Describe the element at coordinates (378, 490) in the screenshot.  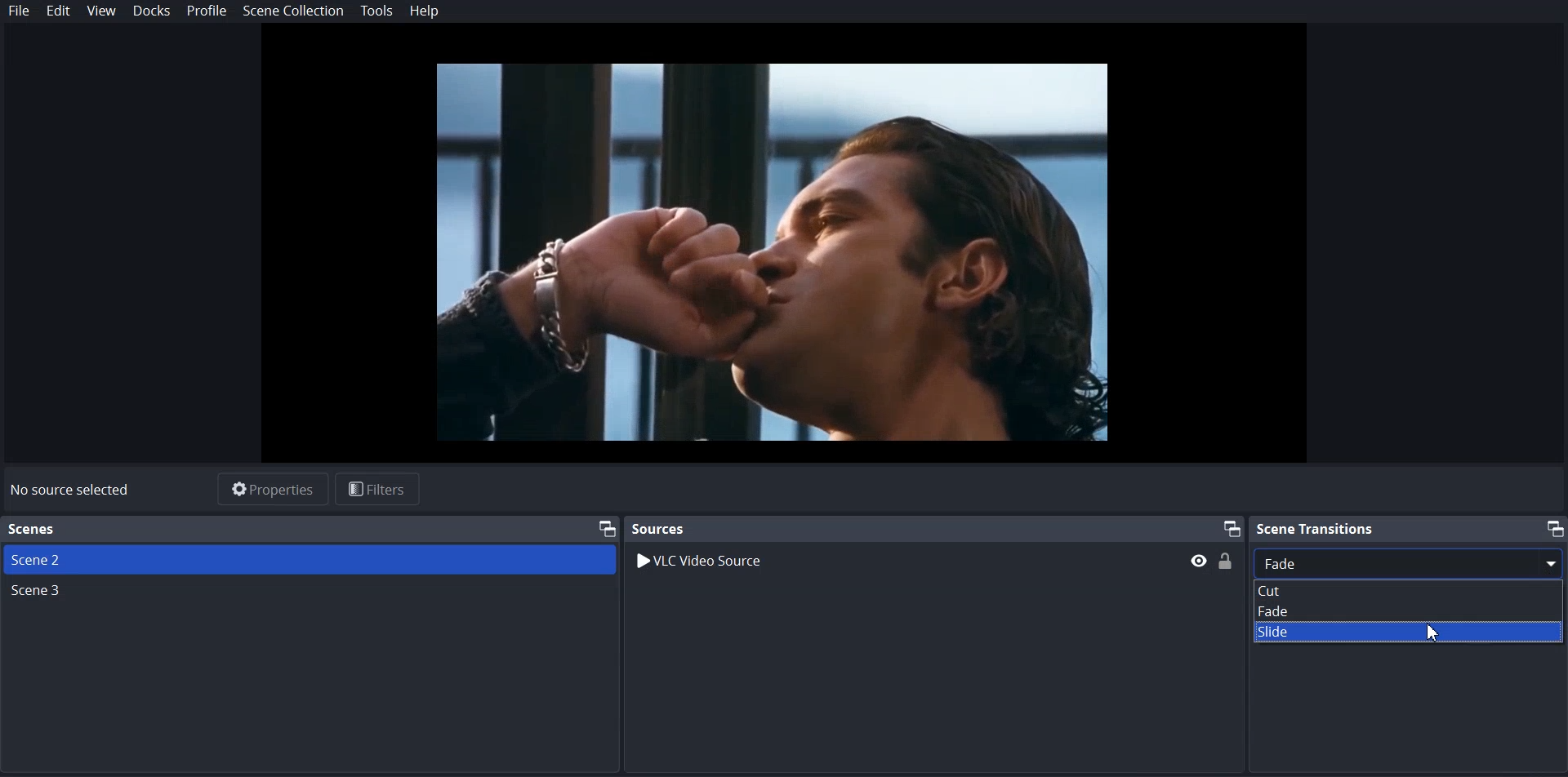
I see `Filters` at that location.